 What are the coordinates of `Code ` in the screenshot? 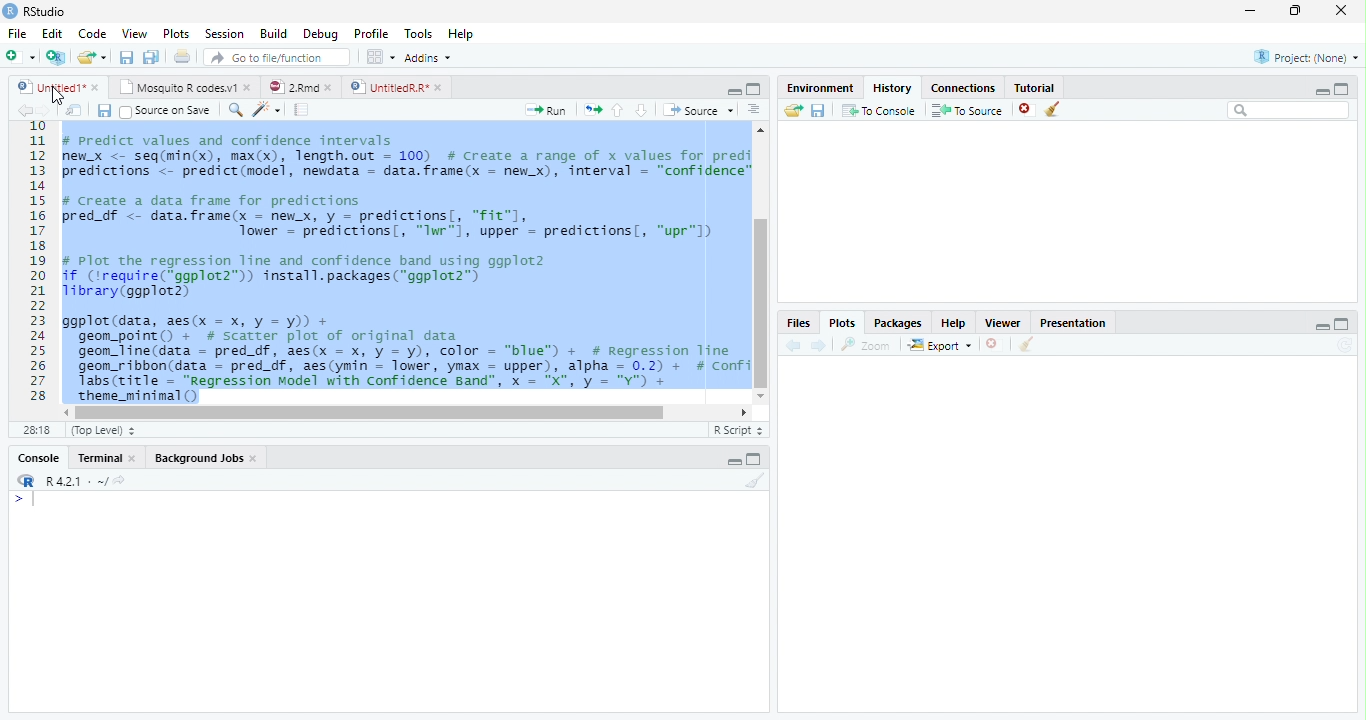 It's located at (268, 110).